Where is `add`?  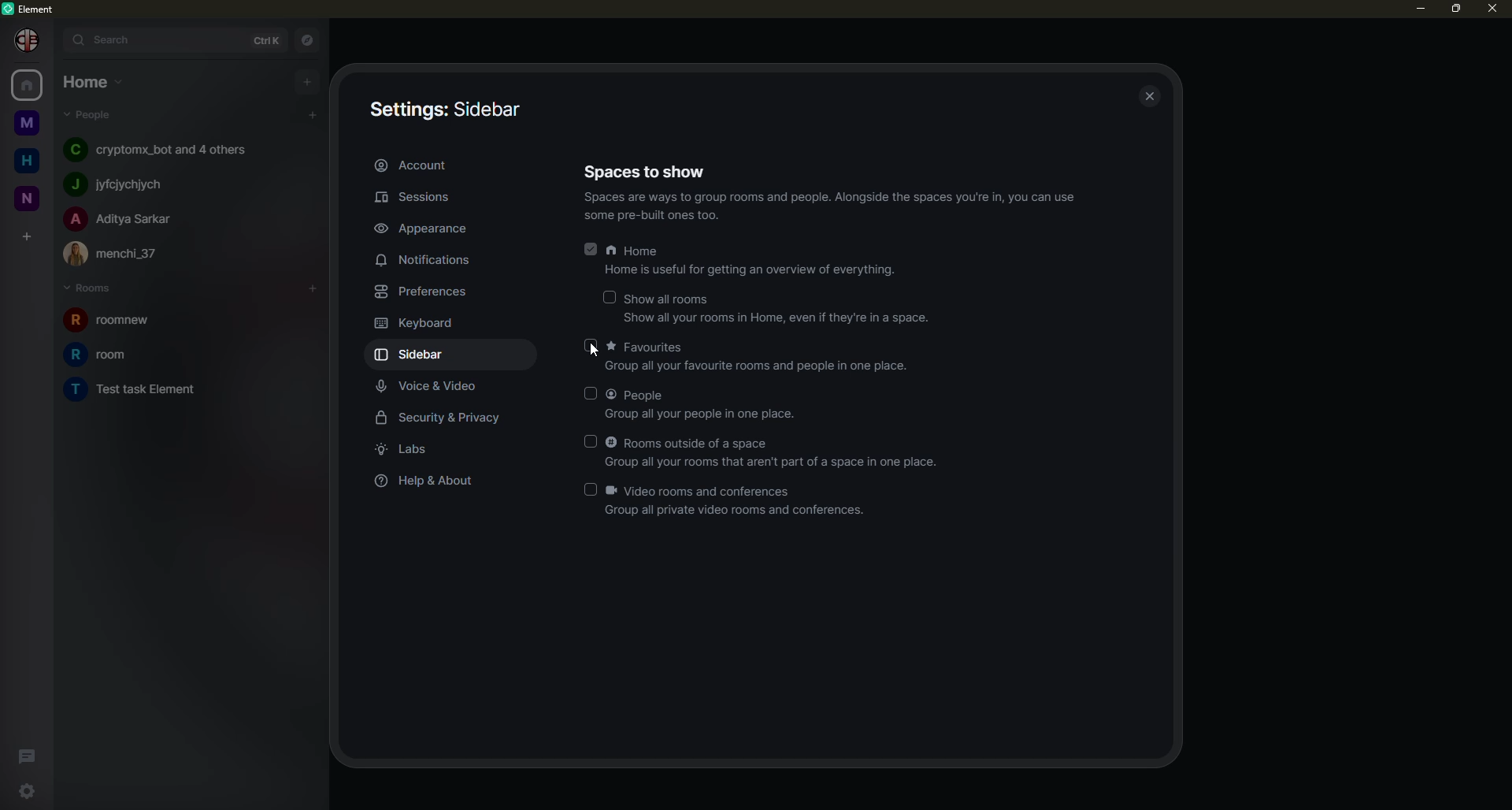
add is located at coordinates (308, 80).